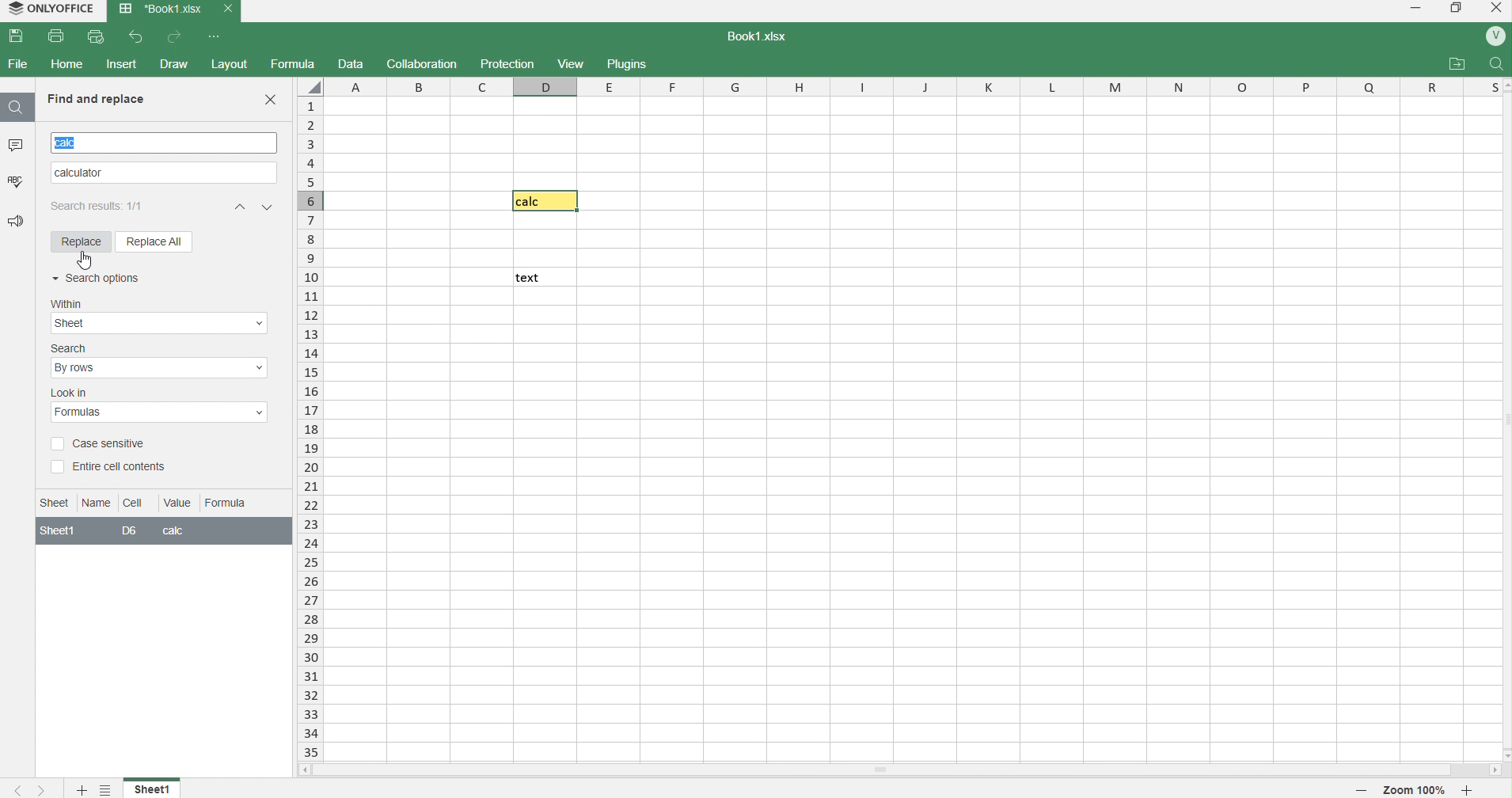 This screenshot has width=1512, height=798. I want to click on move right, so click(1497, 769).